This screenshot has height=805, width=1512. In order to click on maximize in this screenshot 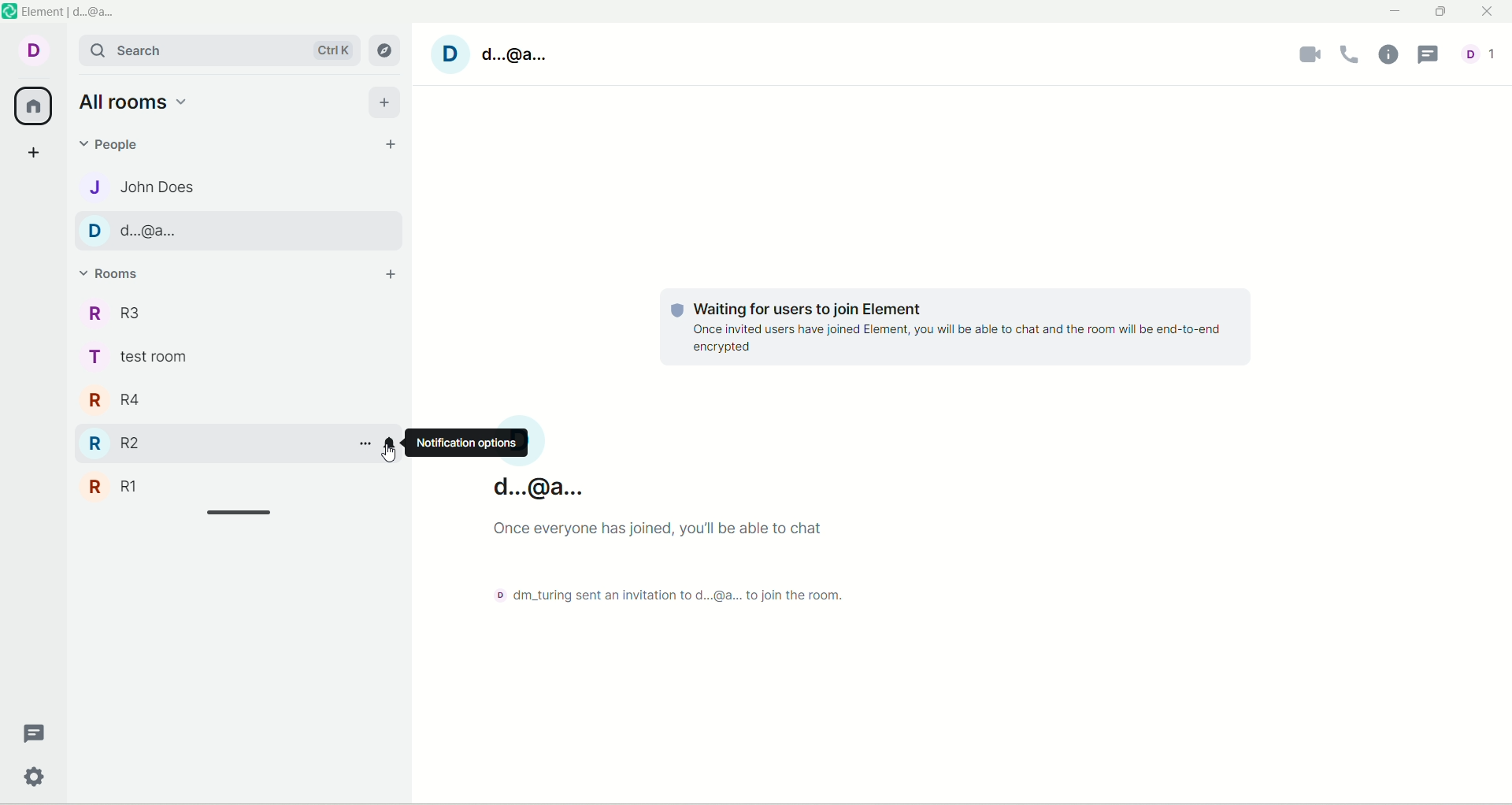, I will do `click(1438, 14)`.